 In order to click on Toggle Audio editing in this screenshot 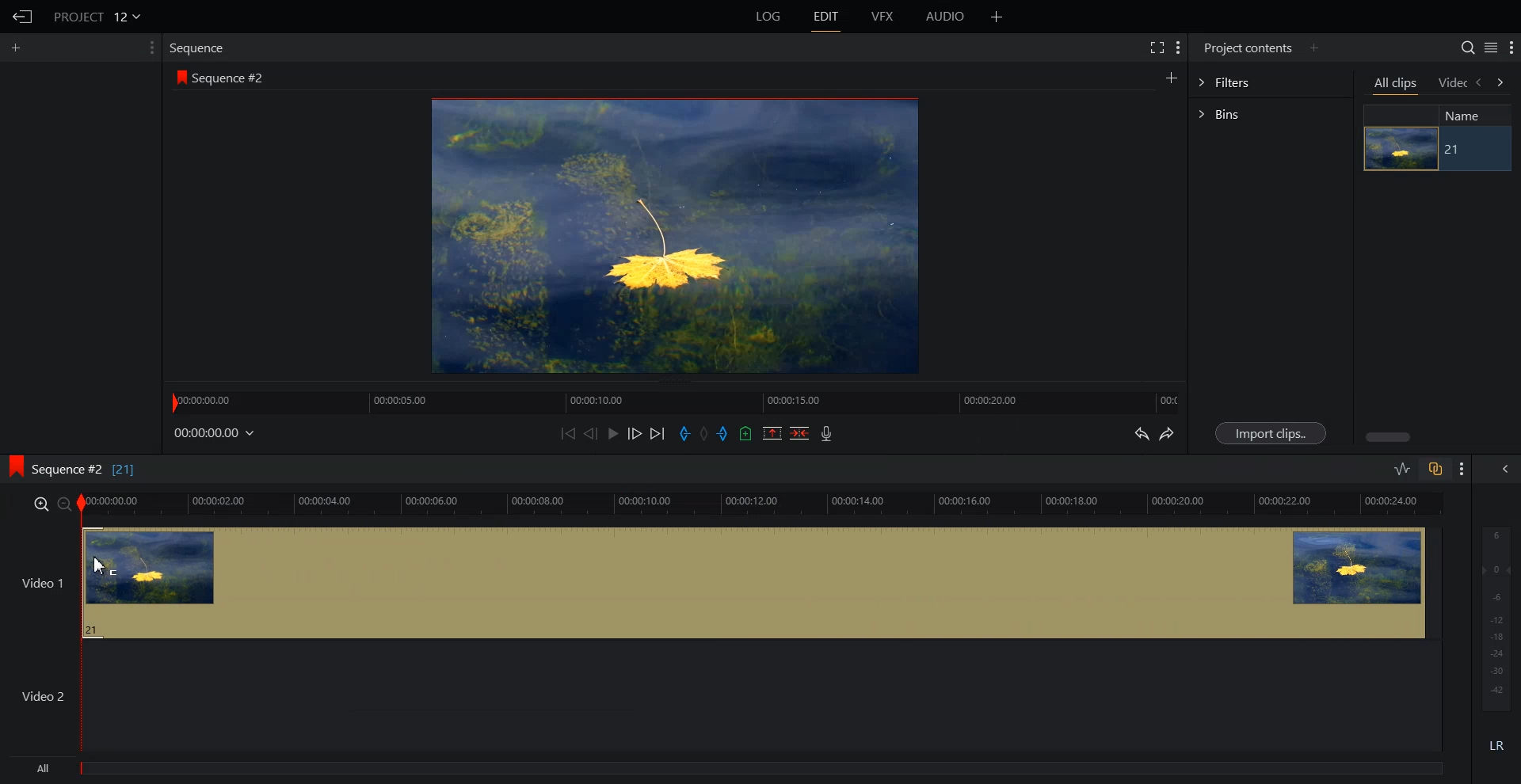, I will do `click(1403, 468)`.